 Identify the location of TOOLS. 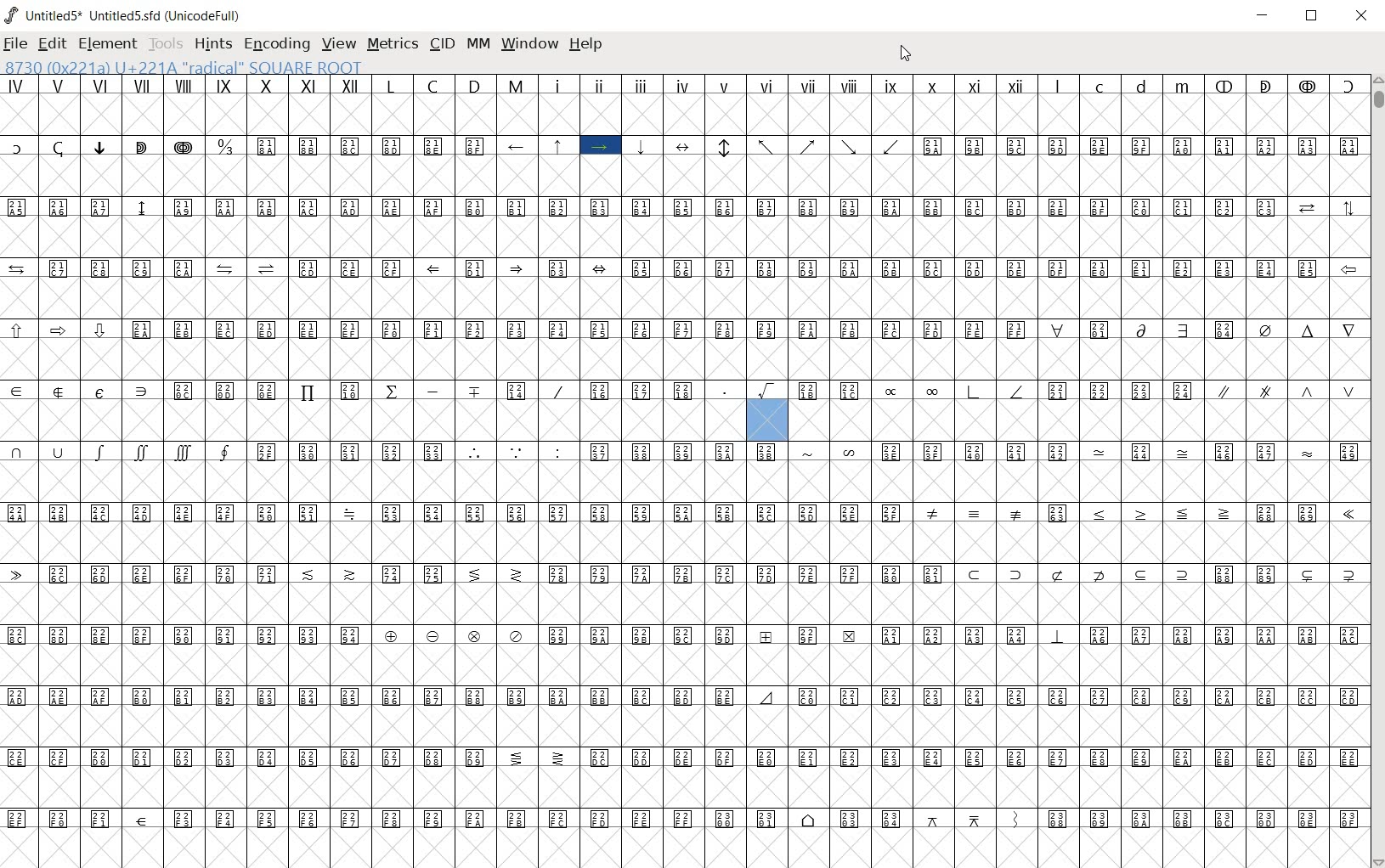
(166, 44).